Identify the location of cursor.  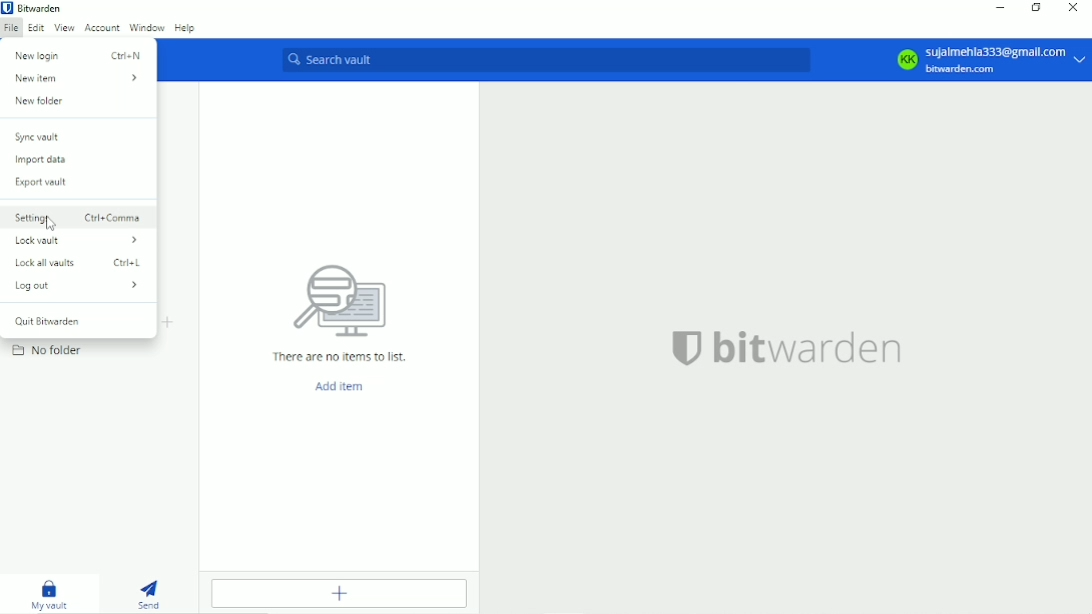
(53, 224).